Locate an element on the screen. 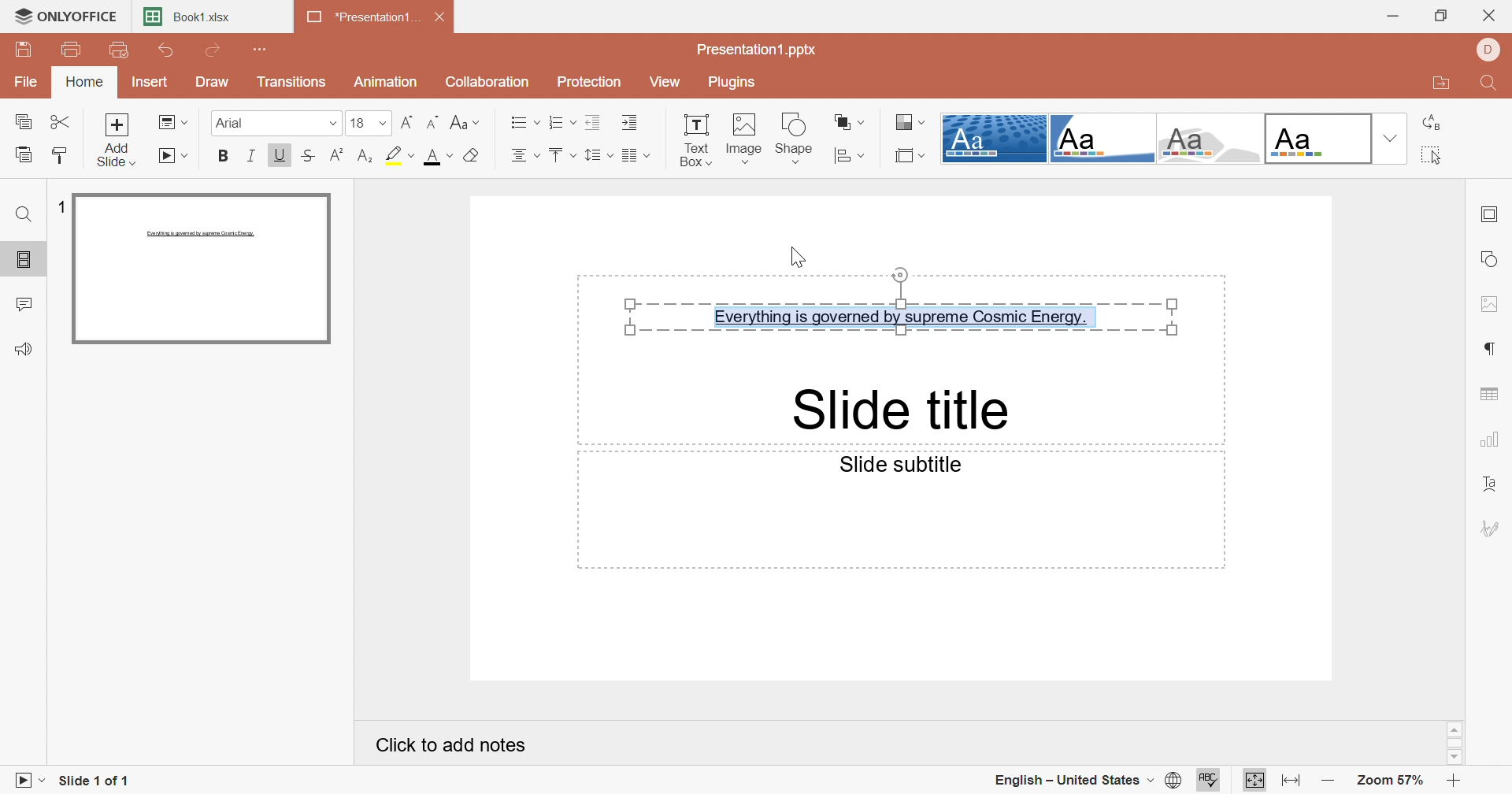  Book1.xlsx is located at coordinates (187, 17).